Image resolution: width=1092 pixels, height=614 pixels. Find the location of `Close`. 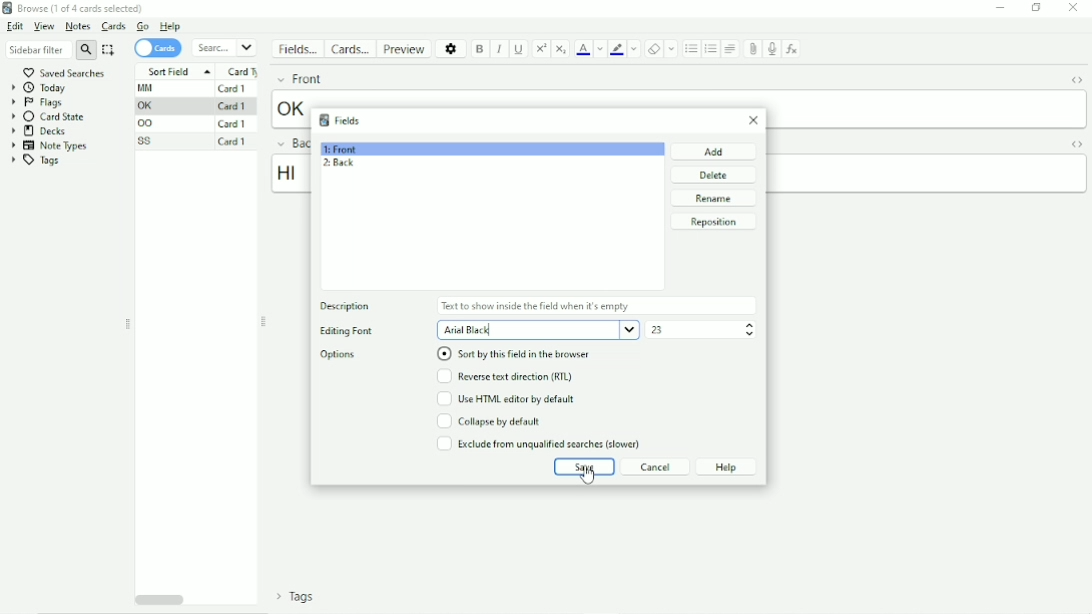

Close is located at coordinates (756, 121).